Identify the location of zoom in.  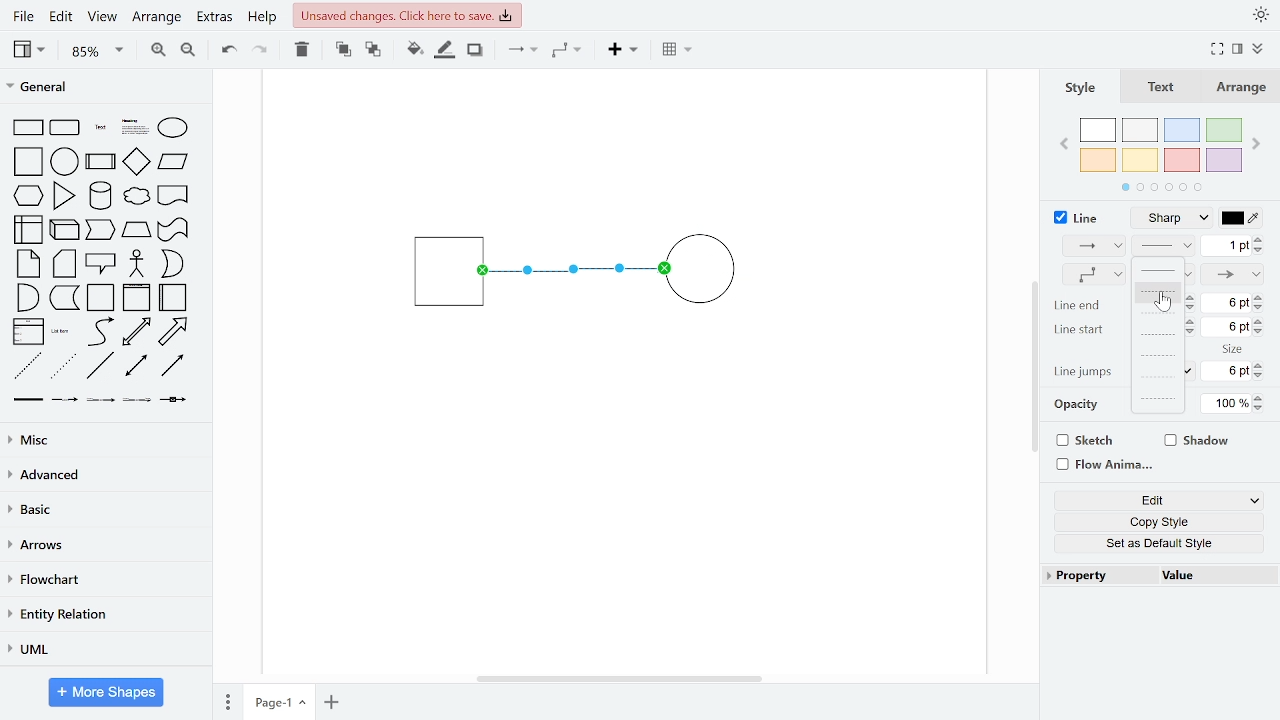
(156, 48).